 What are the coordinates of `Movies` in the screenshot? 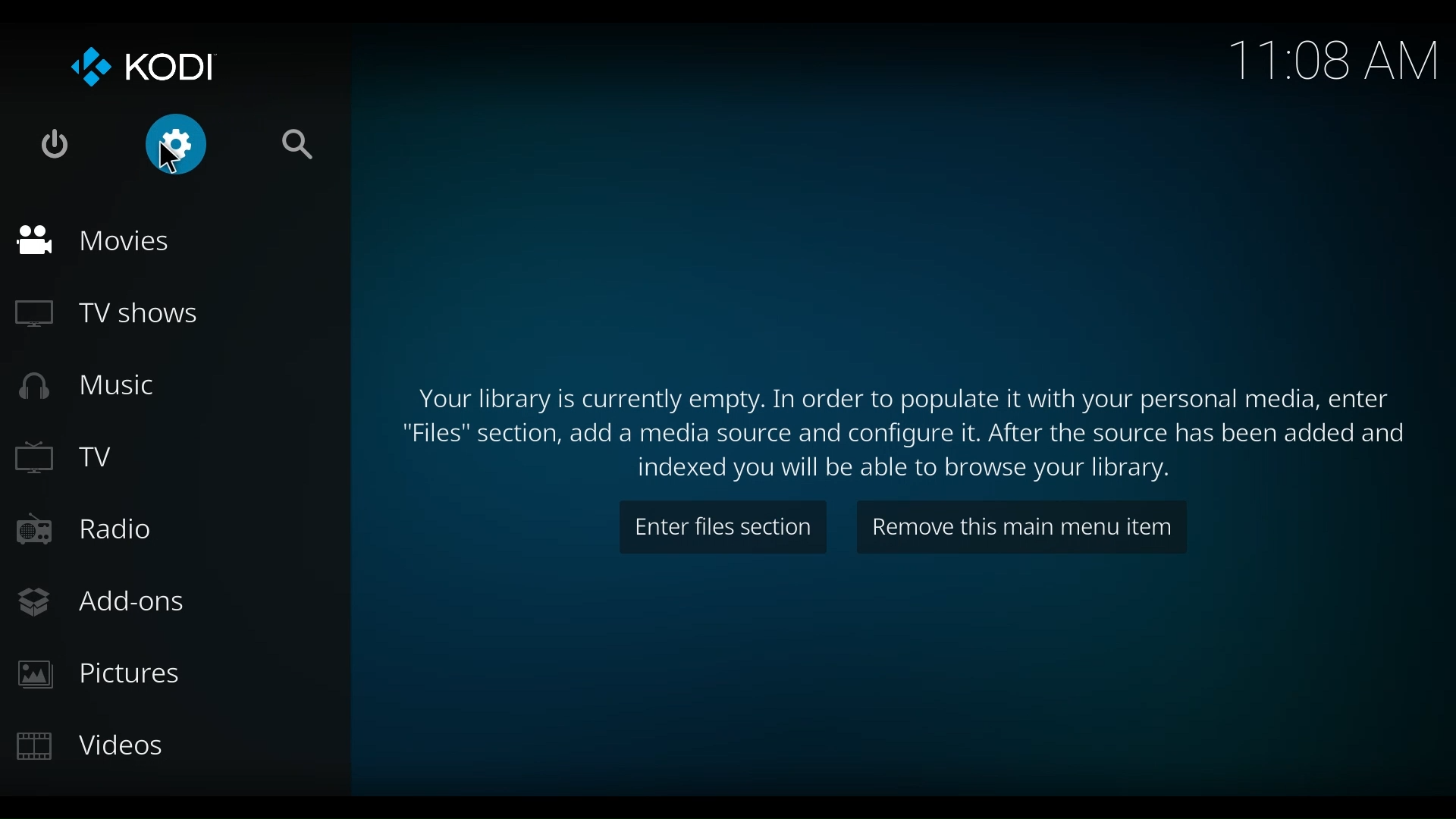 It's located at (95, 240).